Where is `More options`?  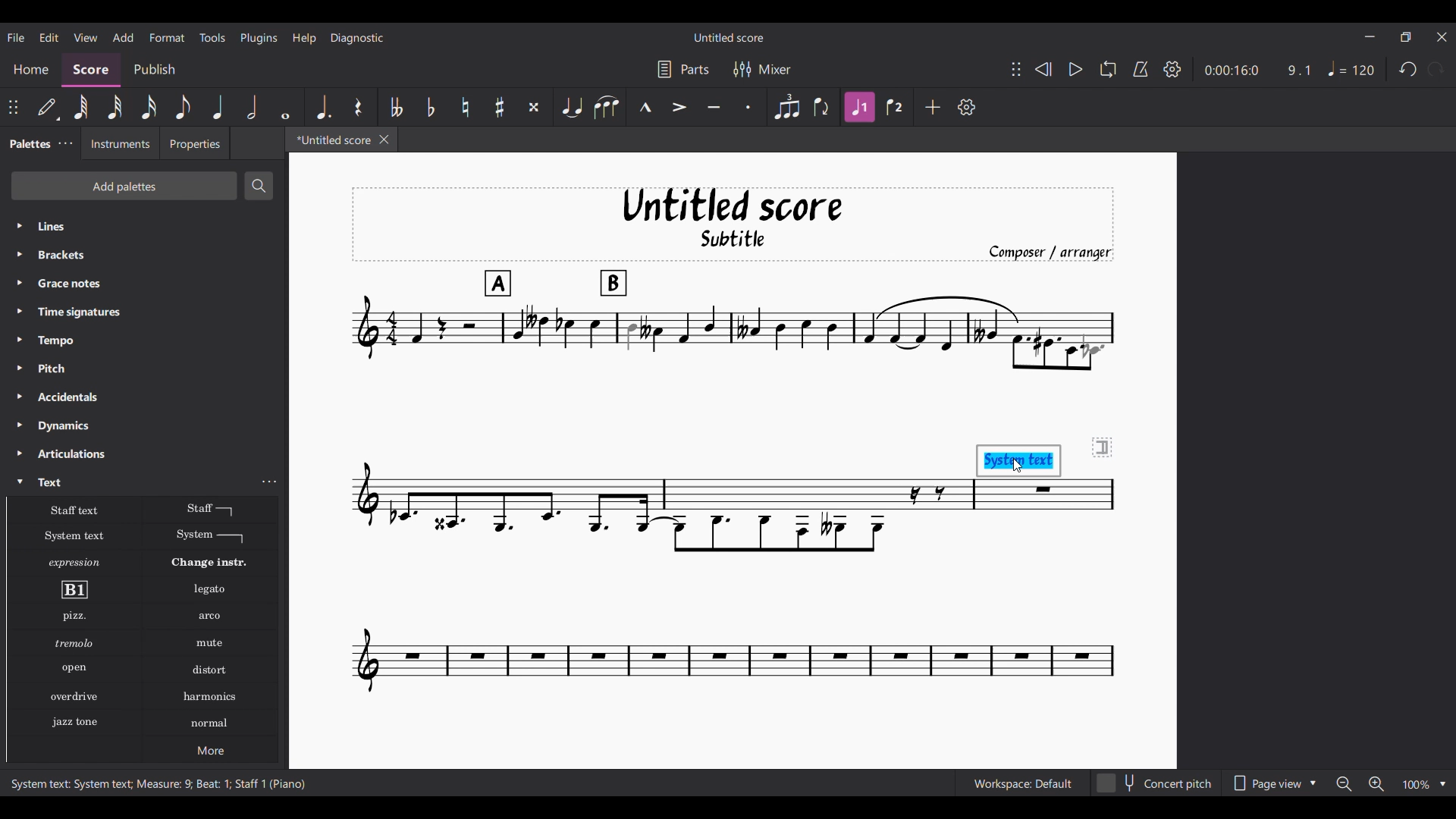
More options is located at coordinates (210, 749).